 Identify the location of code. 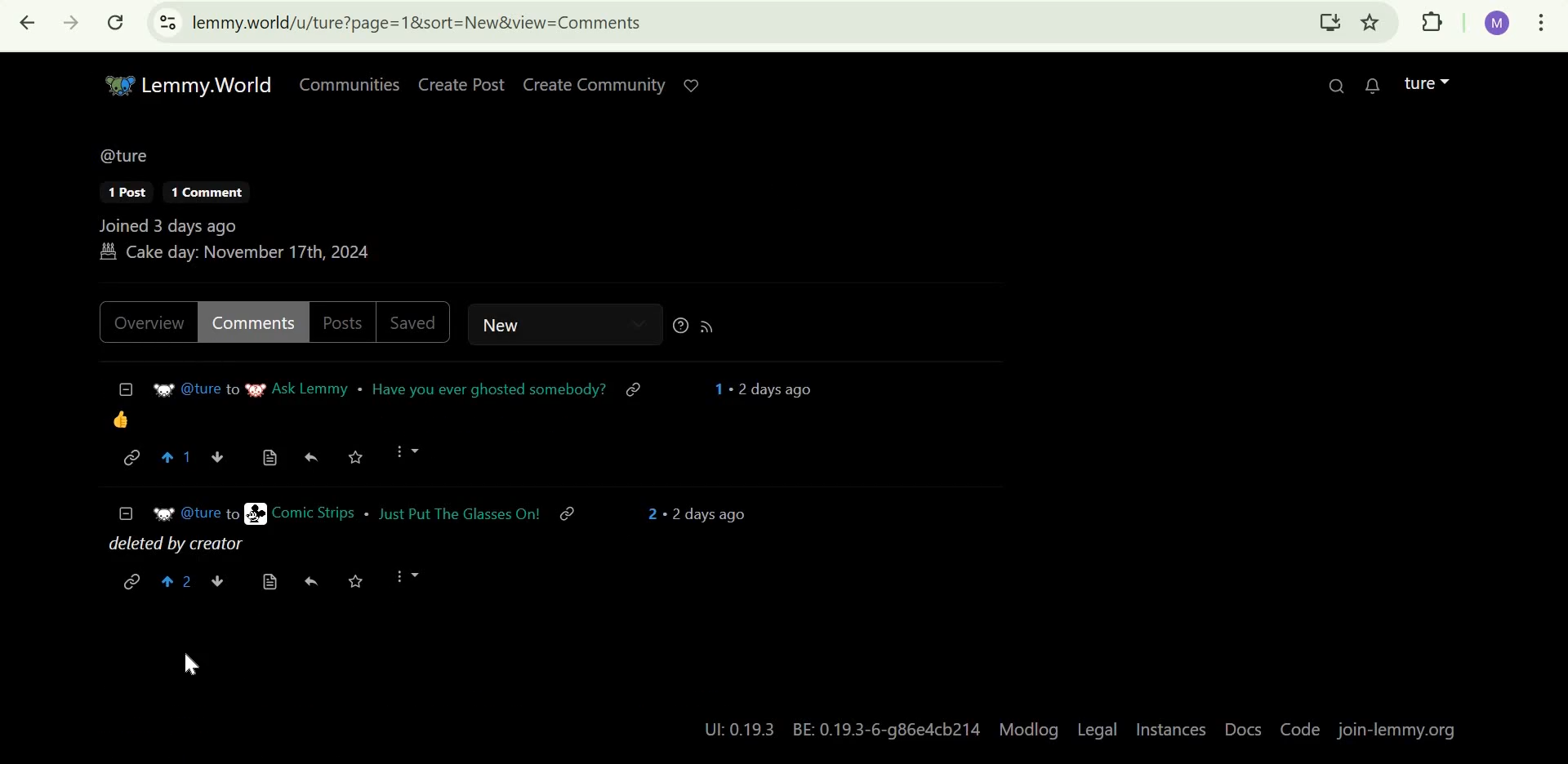
(1298, 729).